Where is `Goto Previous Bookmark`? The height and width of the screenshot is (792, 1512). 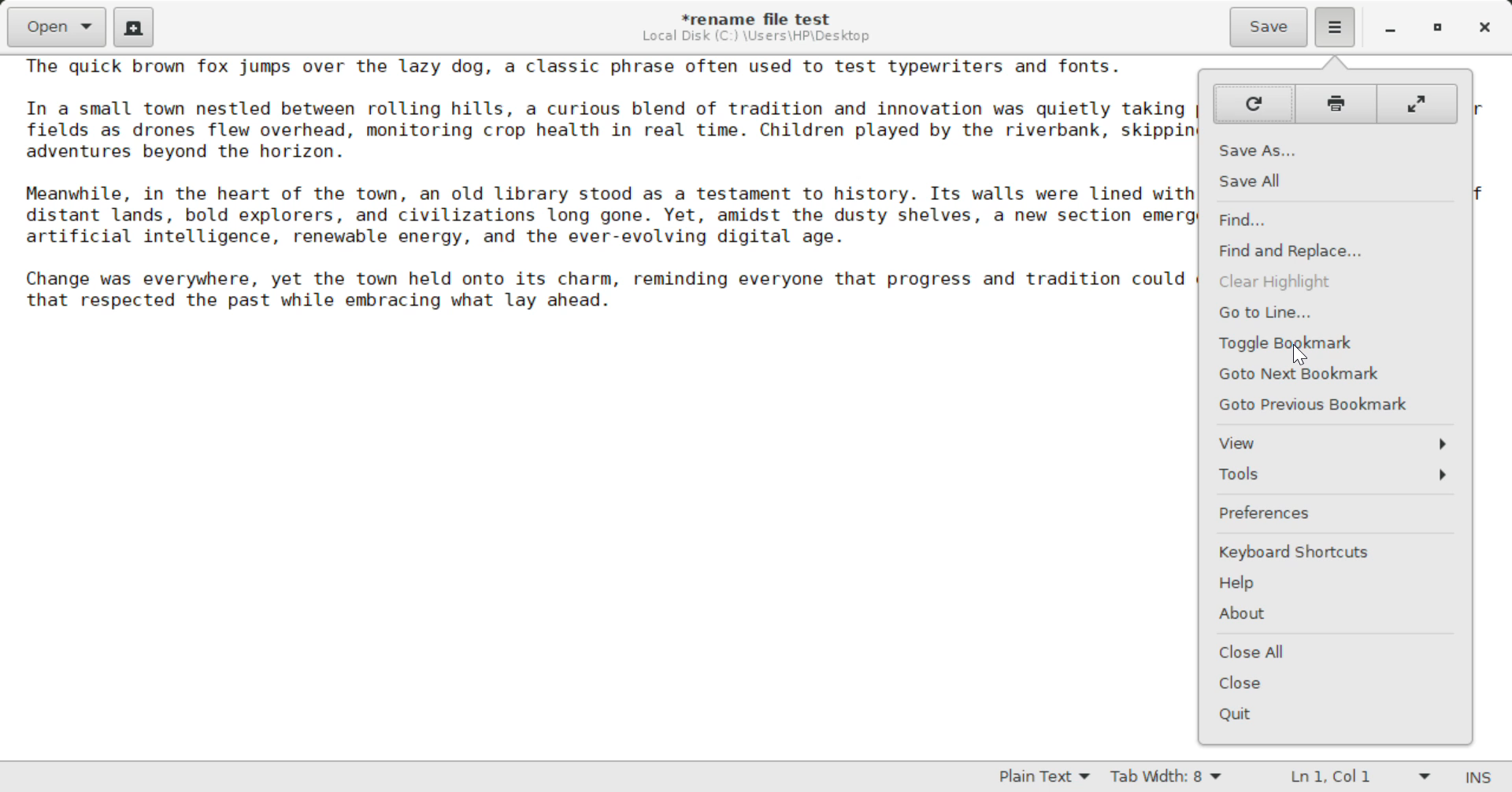 Goto Previous Bookmark is located at coordinates (1337, 404).